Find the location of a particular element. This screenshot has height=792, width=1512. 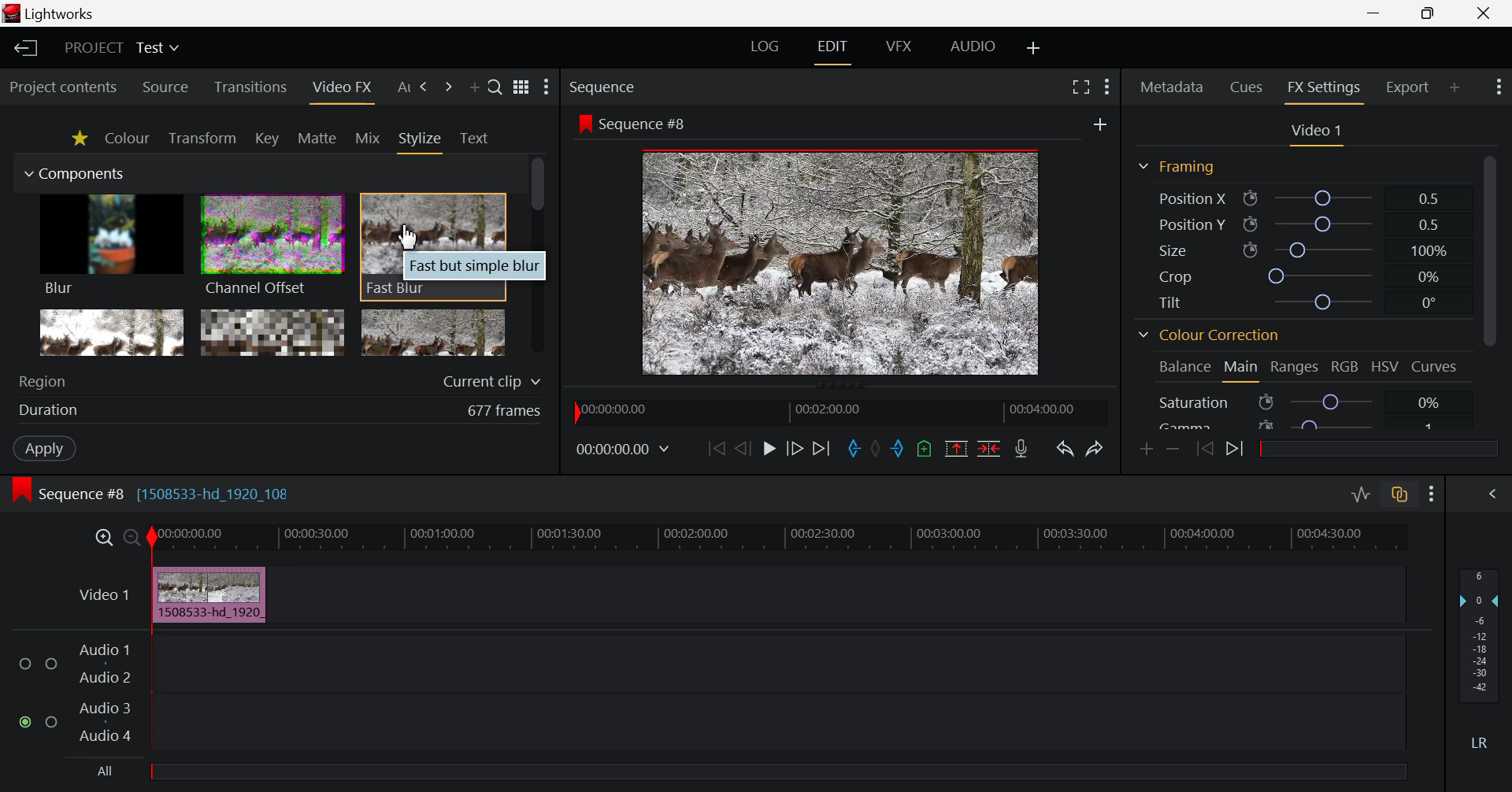

Previous Panel is located at coordinates (398, 87).